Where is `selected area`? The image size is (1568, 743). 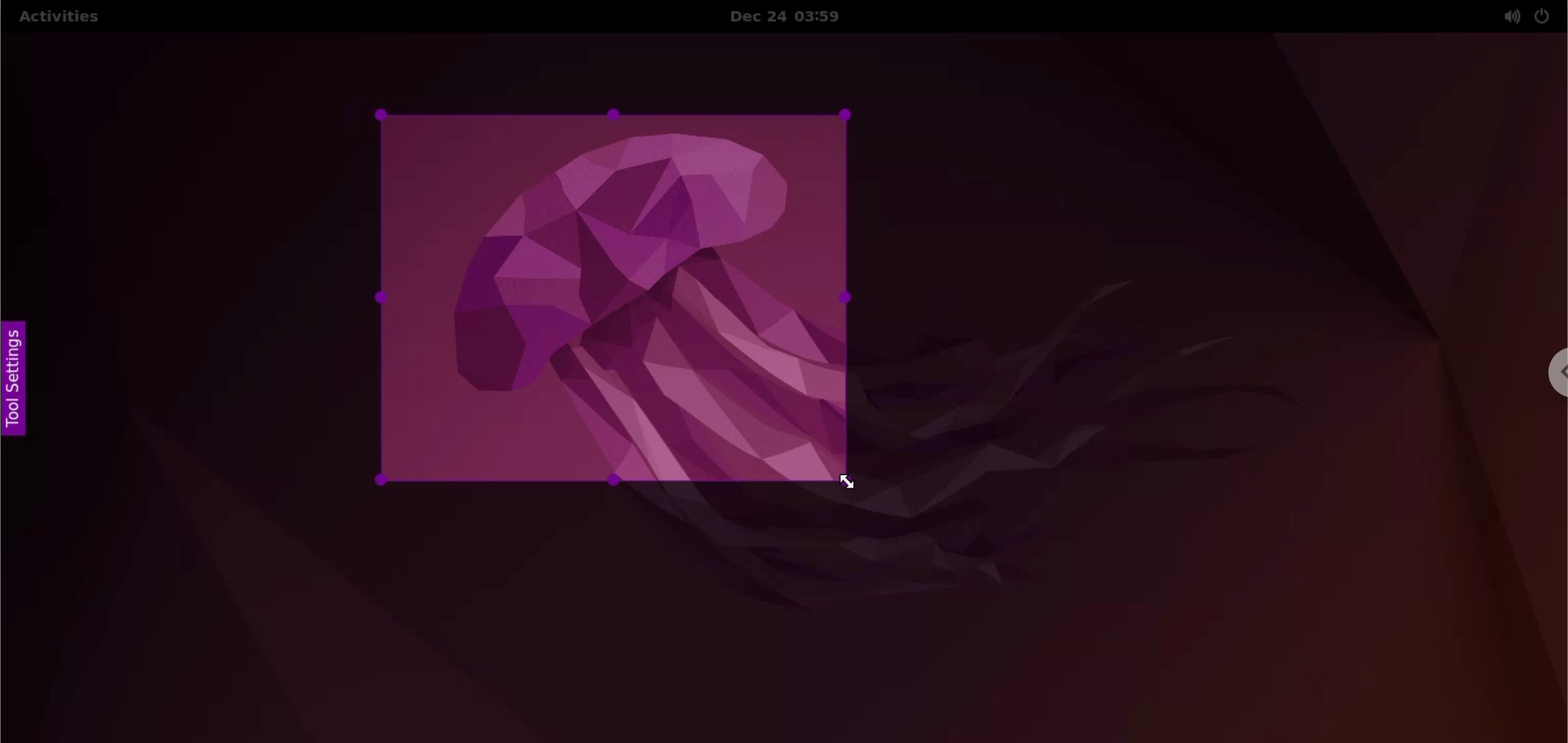
selected area is located at coordinates (615, 300).